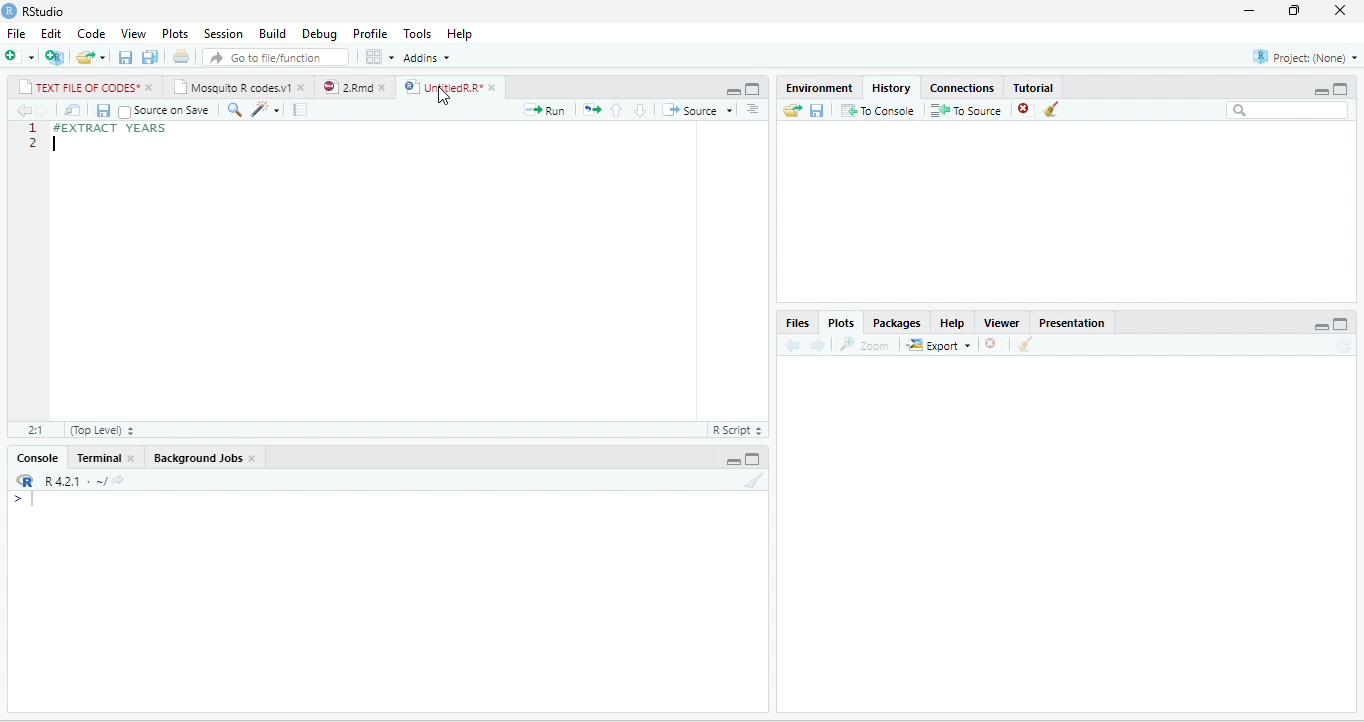 The height and width of the screenshot is (722, 1364). What do you see at coordinates (381, 57) in the screenshot?
I see `options` at bounding box center [381, 57].